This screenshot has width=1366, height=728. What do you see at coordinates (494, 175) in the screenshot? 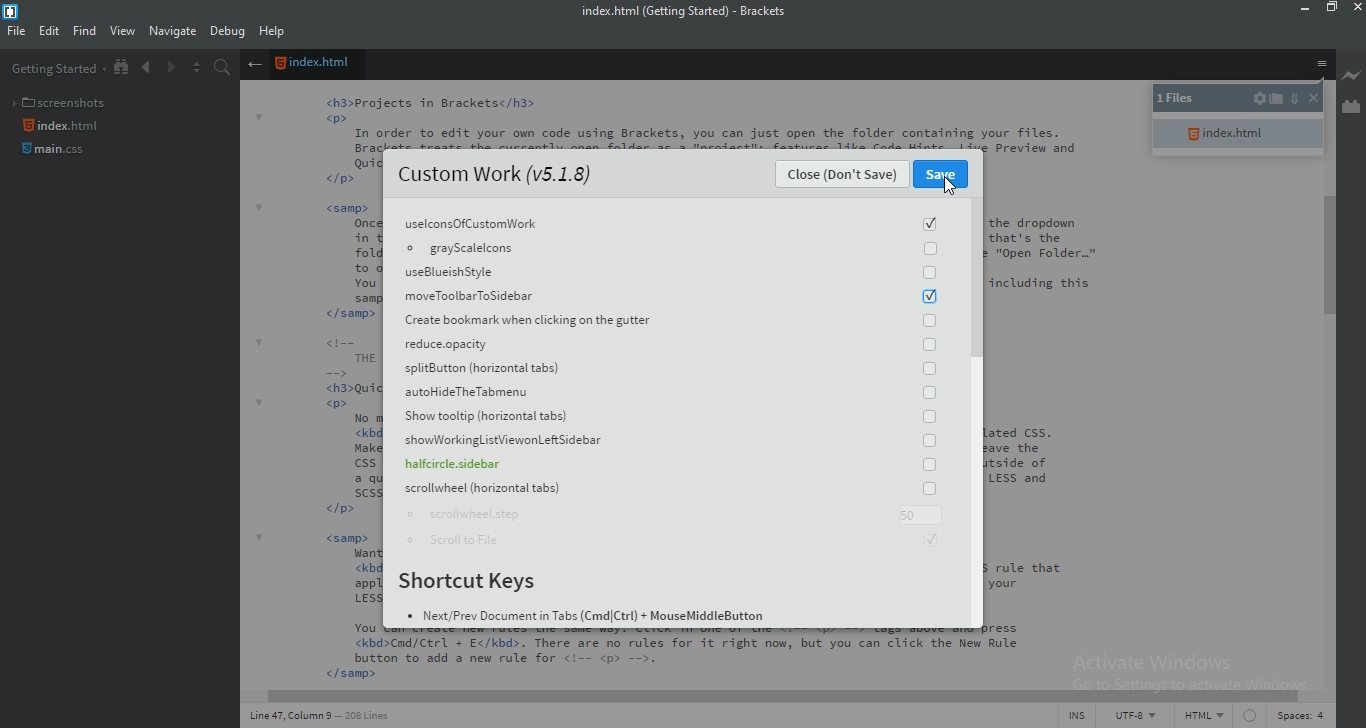
I see `Custom Work (v5.1.8)` at bounding box center [494, 175].